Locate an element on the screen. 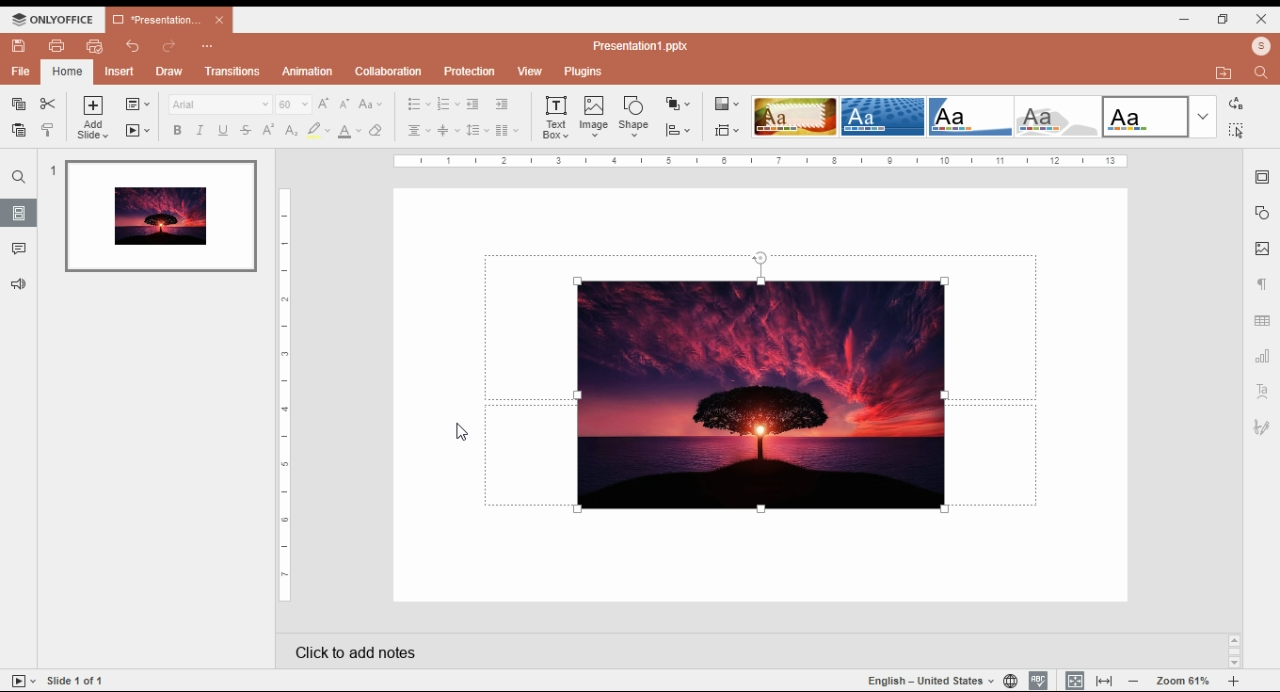 Image resolution: width=1280 pixels, height=692 pixels. insert text box is located at coordinates (556, 118).